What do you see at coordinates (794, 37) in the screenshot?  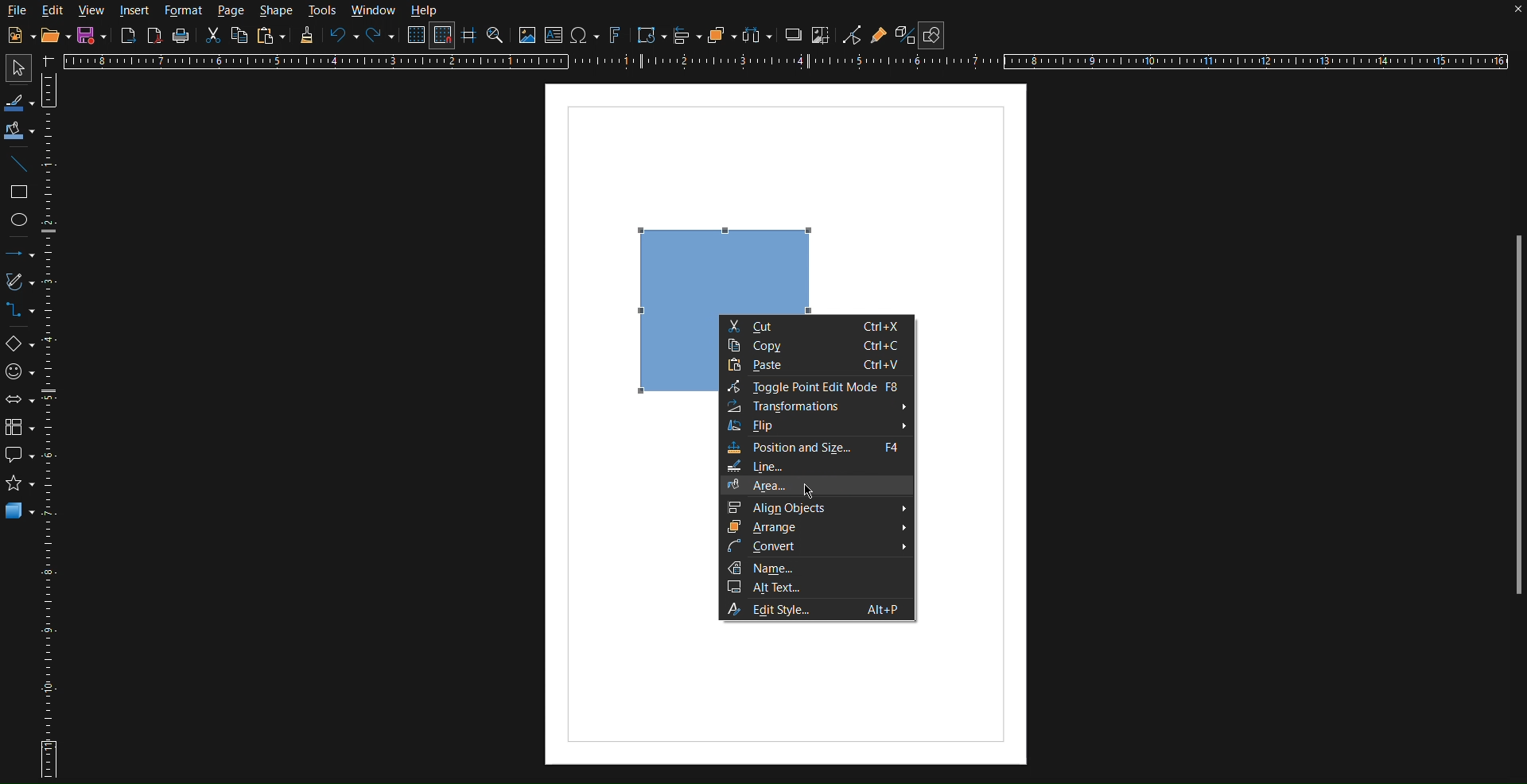 I see `Shadow` at bounding box center [794, 37].